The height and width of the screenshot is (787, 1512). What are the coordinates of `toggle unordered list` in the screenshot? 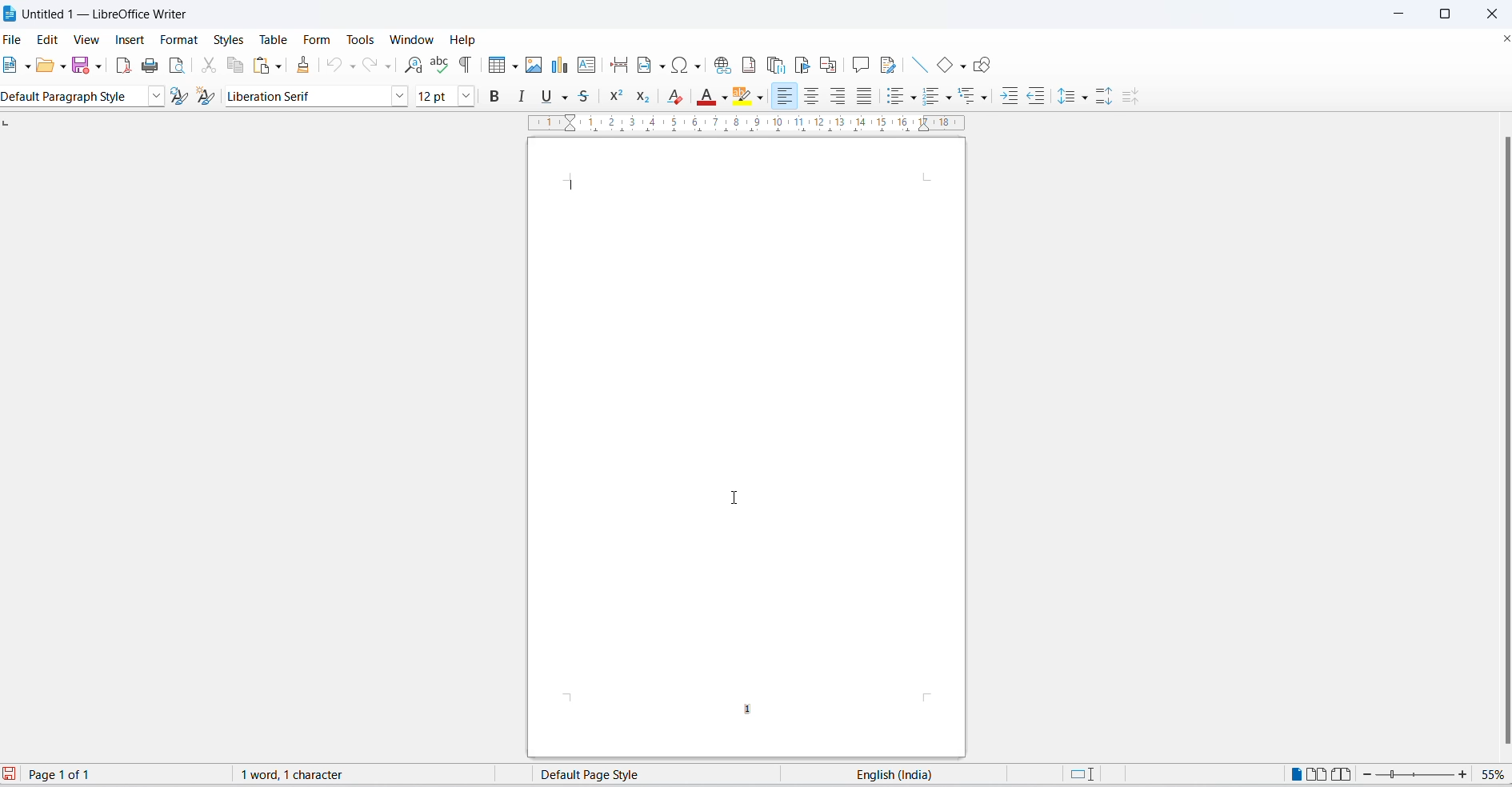 It's located at (914, 98).